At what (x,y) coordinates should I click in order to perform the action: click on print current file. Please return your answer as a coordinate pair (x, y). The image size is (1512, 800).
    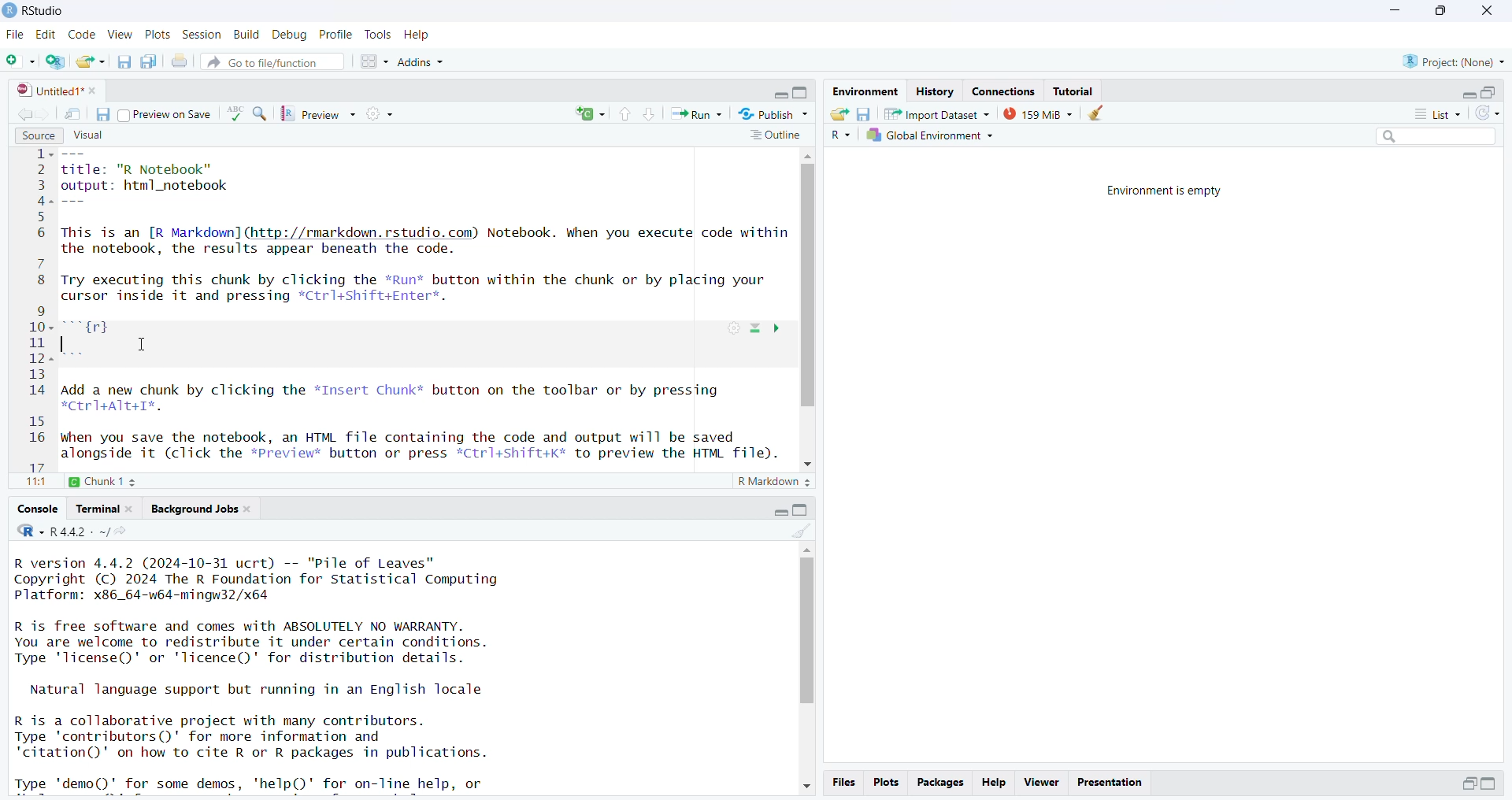
    Looking at the image, I should click on (180, 63).